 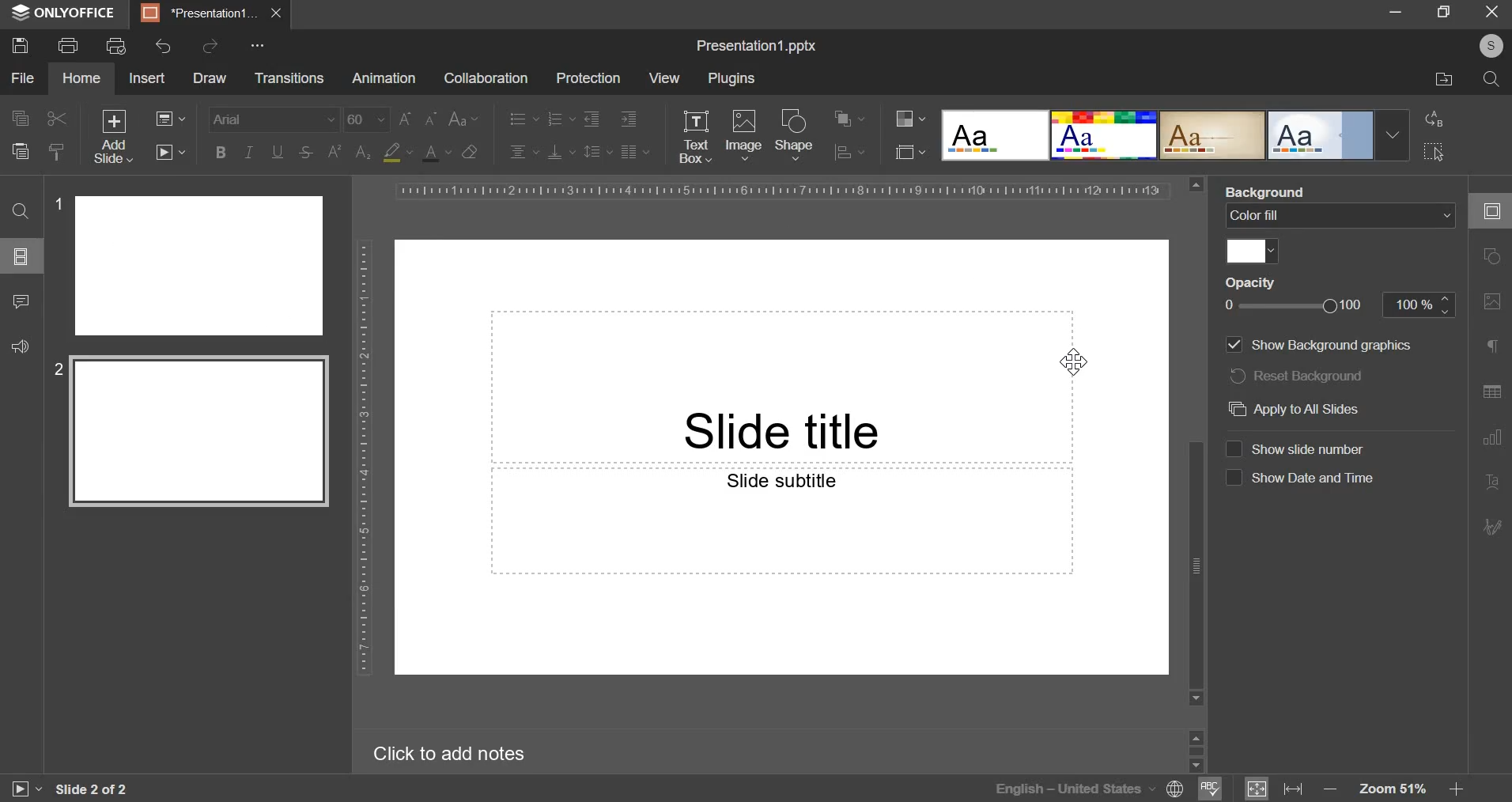 I want to click on full screen, so click(x=1450, y=13).